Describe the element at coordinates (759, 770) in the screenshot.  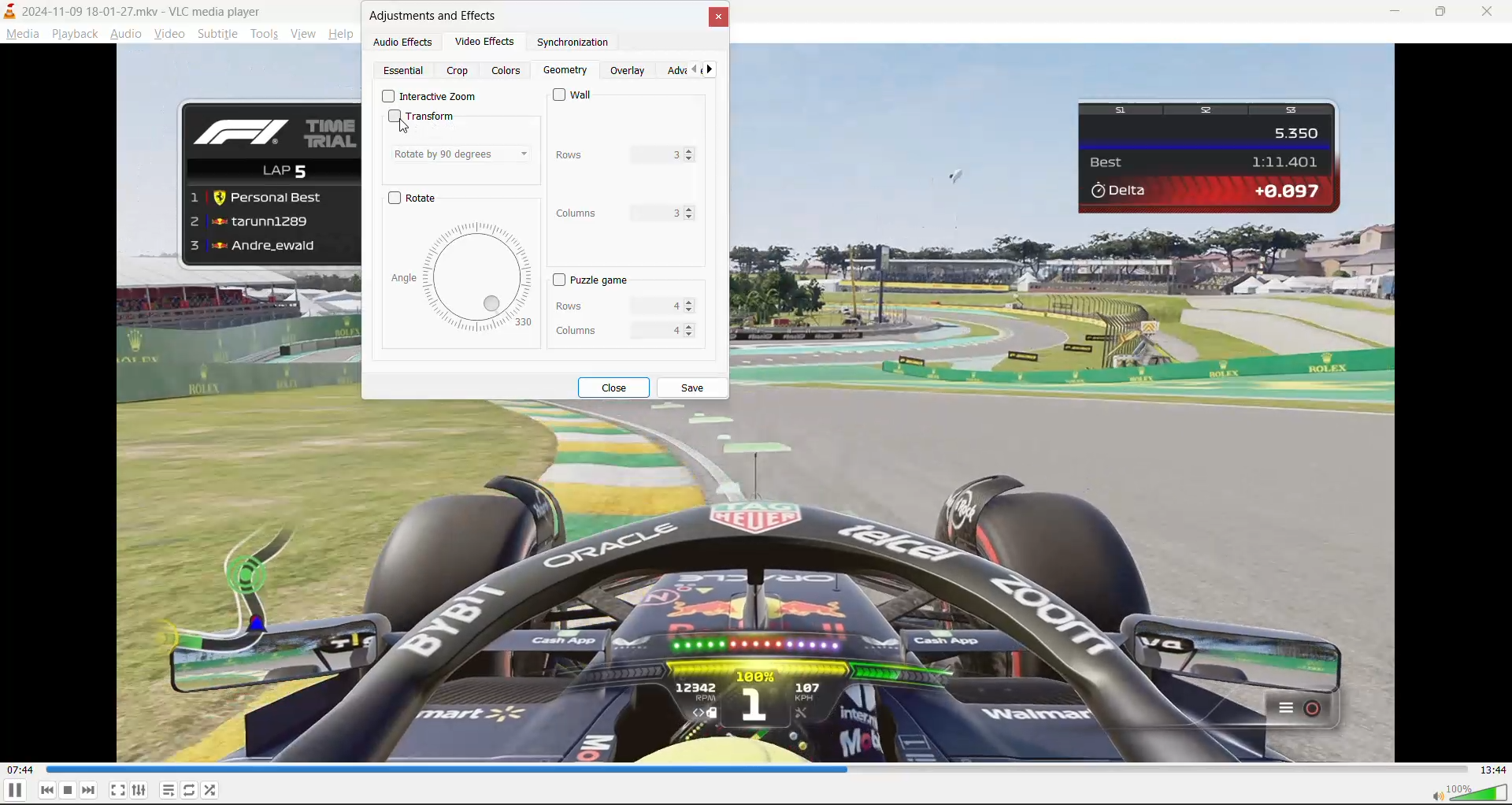
I see `track slider` at that location.